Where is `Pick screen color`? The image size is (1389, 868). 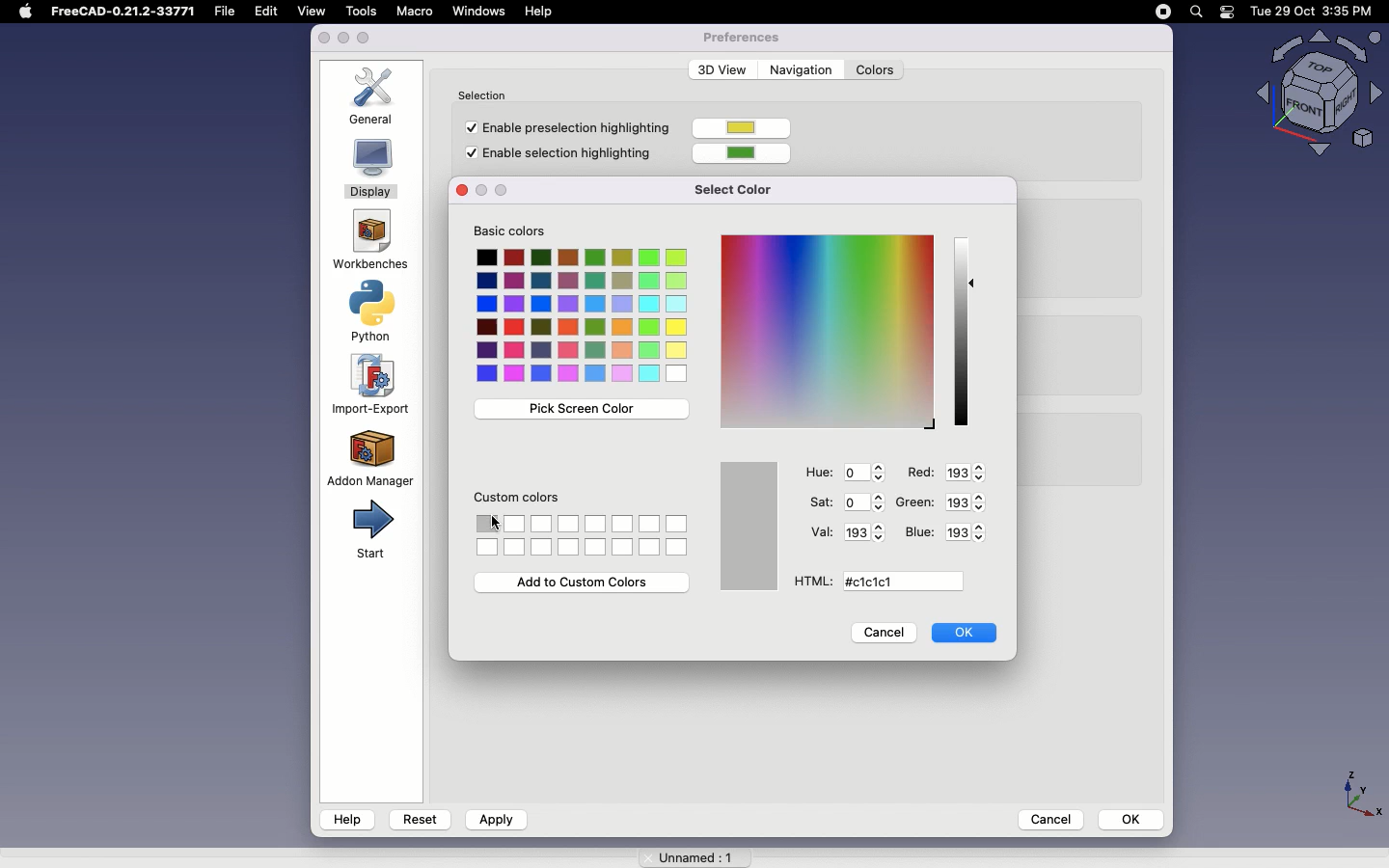 Pick screen color is located at coordinates (578, 410).